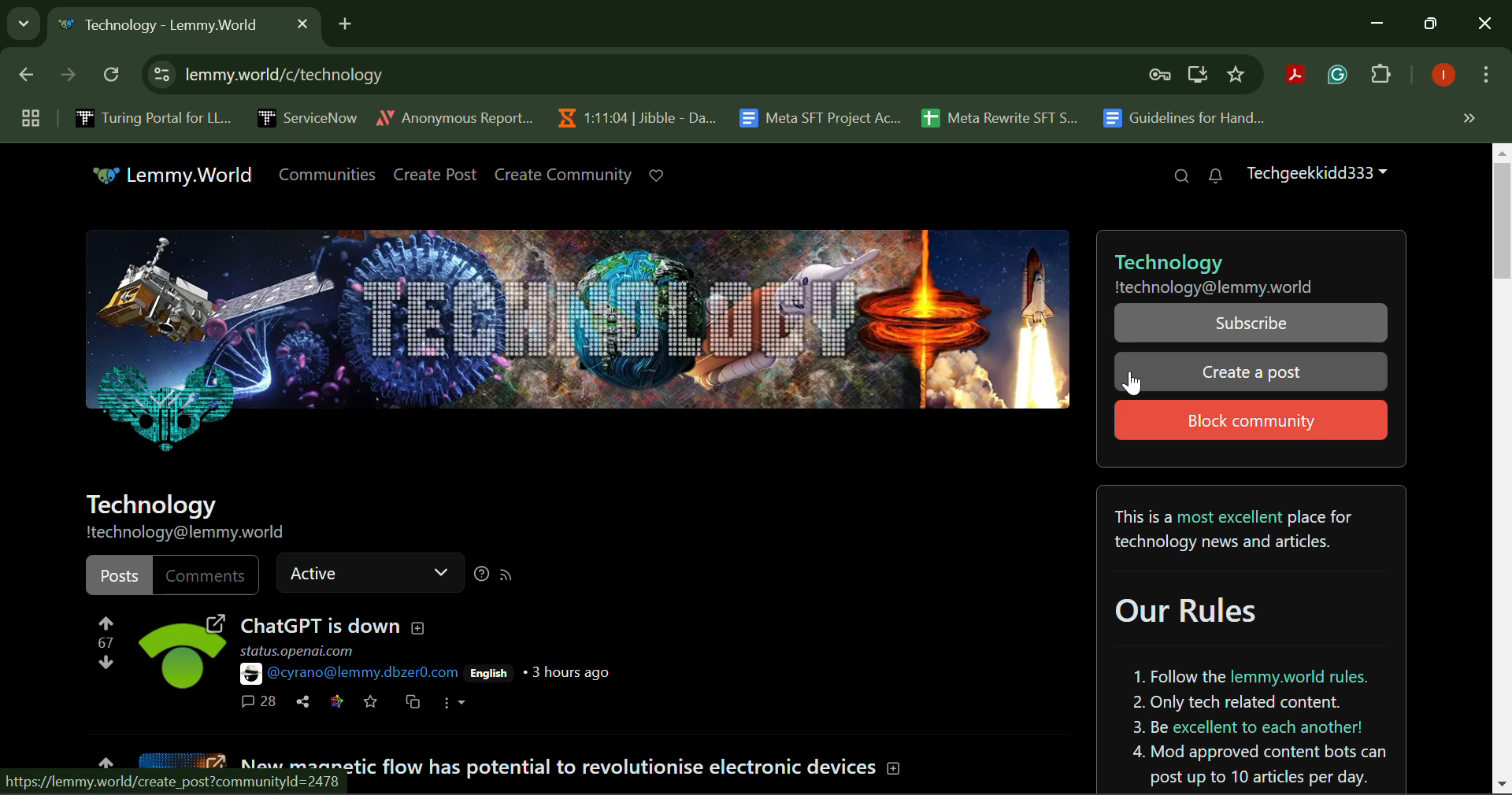 The height and width of the screenshot is (795, 1512). What do you see at coordinates (350, 674) in the screenshot?
I see `@cyrano@lemmy.dbzer0.com` at bounding box center [350, 674].